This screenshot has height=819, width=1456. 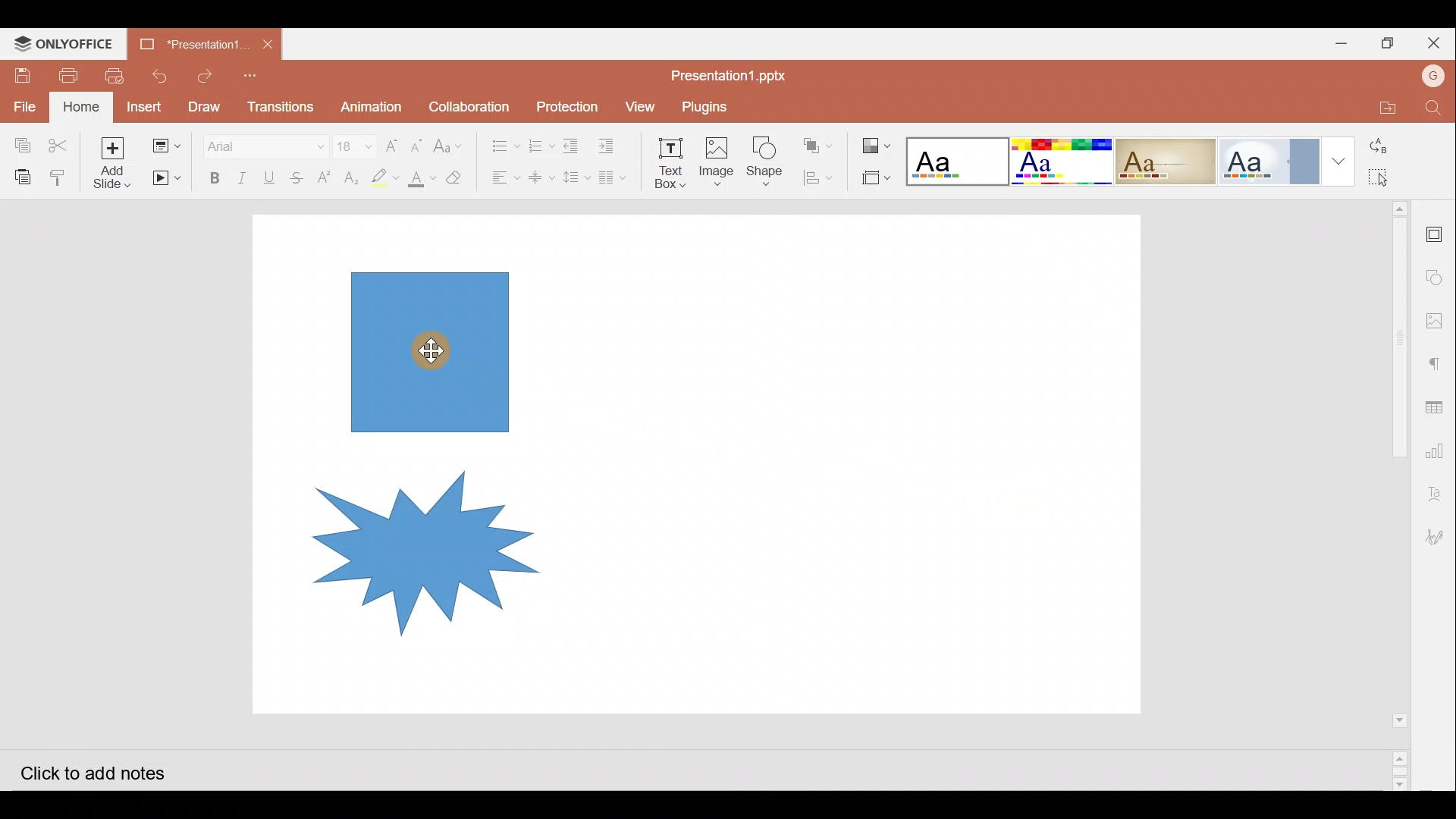 I want to click on Font size, so click(x=350, y=140).